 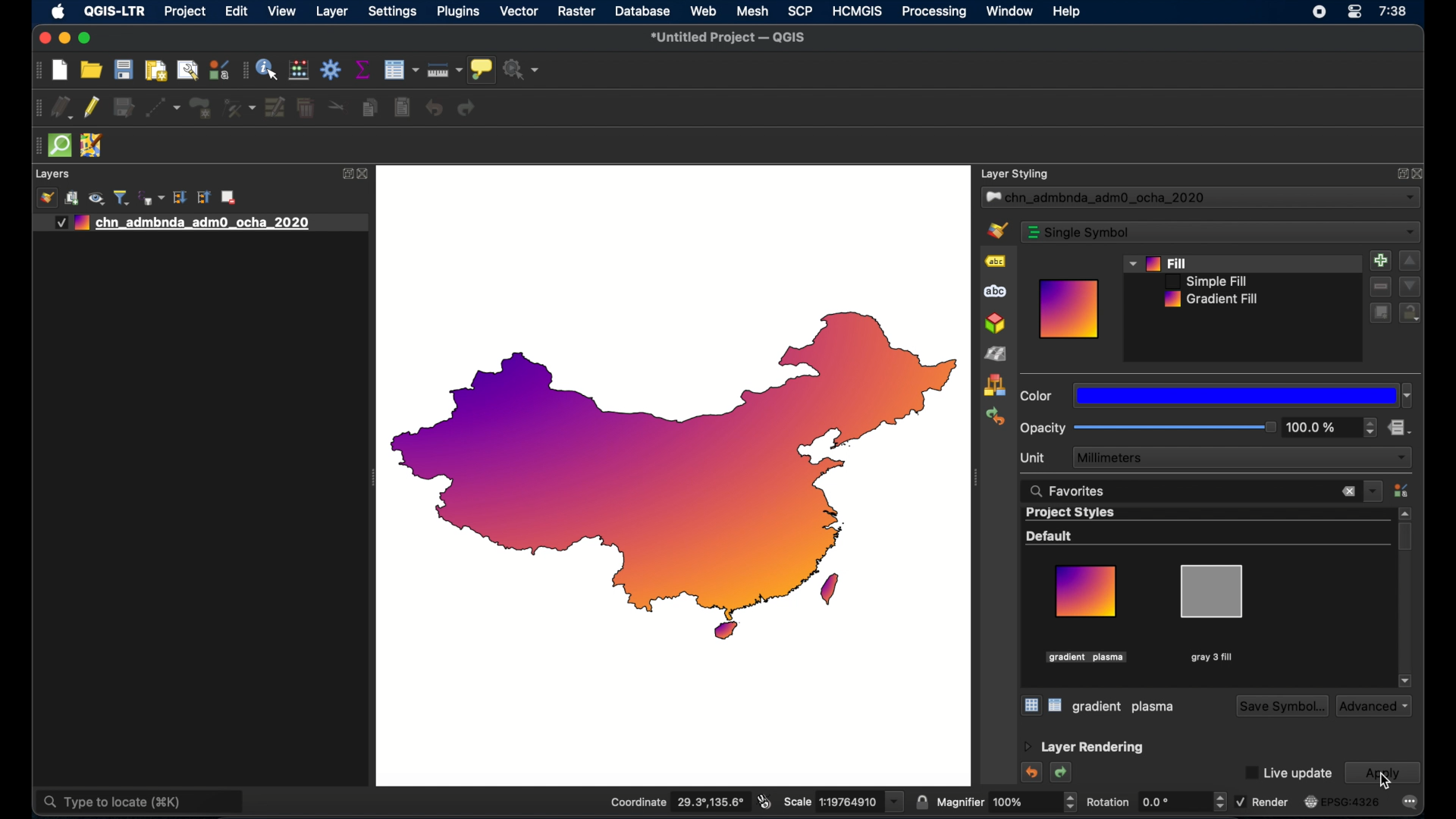 What do you see at coordinates (727, 37) in the screenshot?
I see `untitled project - QGIS` at bounding box center [727, 37].